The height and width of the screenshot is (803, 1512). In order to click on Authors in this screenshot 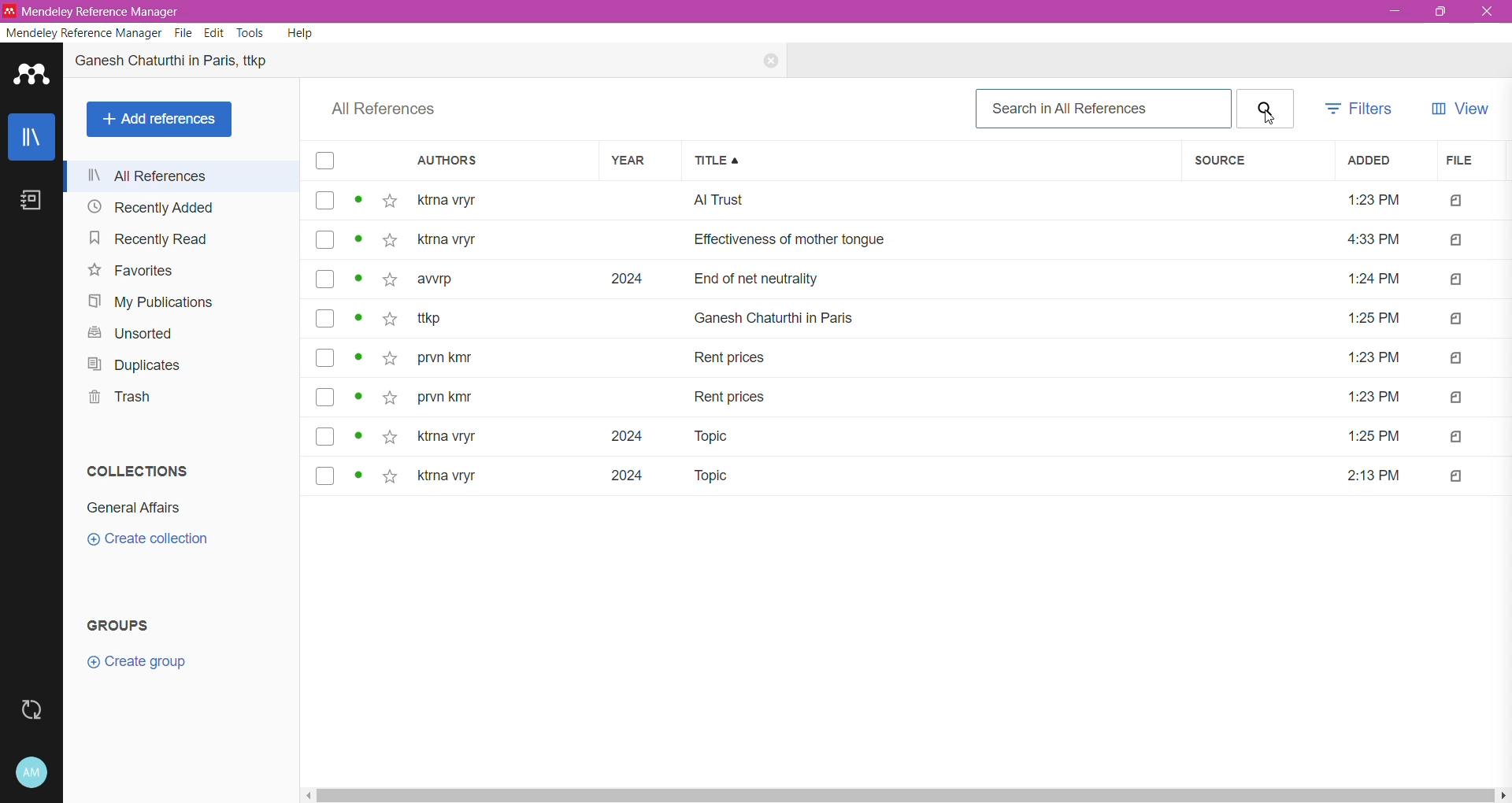, I will do `click(506, 161)`.